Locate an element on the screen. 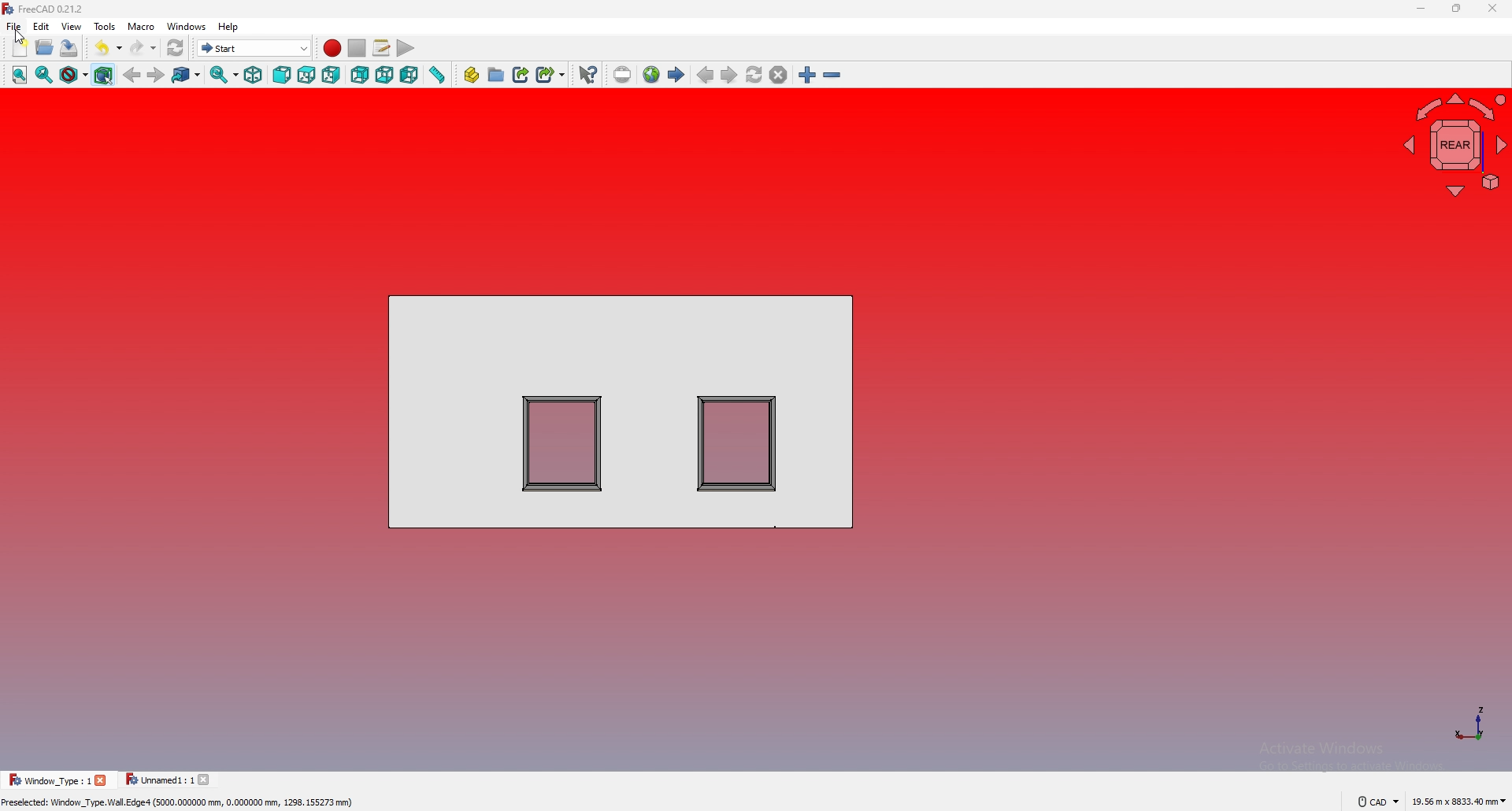  open is located at coordinates (44, 49).